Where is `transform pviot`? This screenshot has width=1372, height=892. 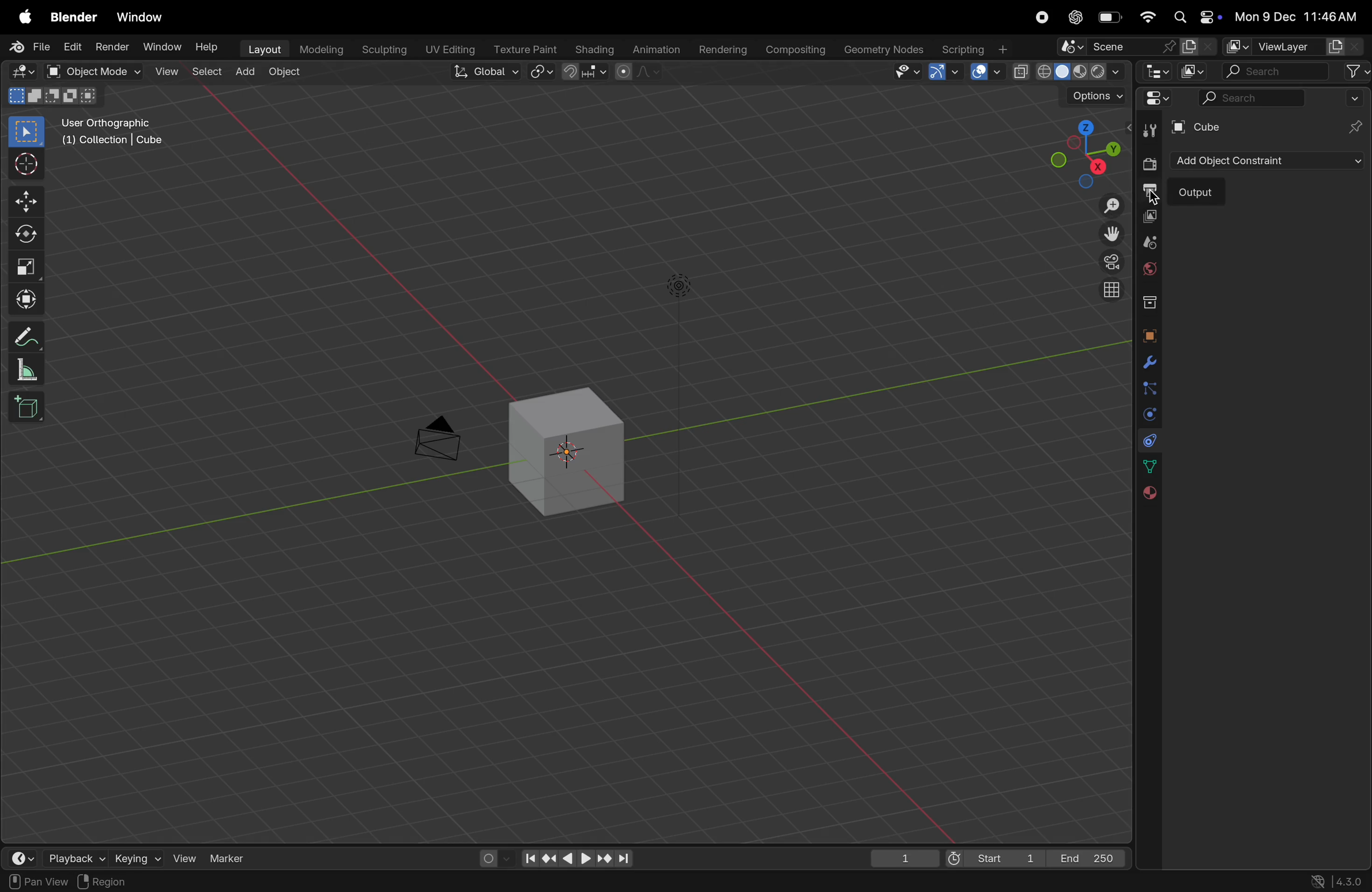
transform pviot is located at coordinates (543, 71).